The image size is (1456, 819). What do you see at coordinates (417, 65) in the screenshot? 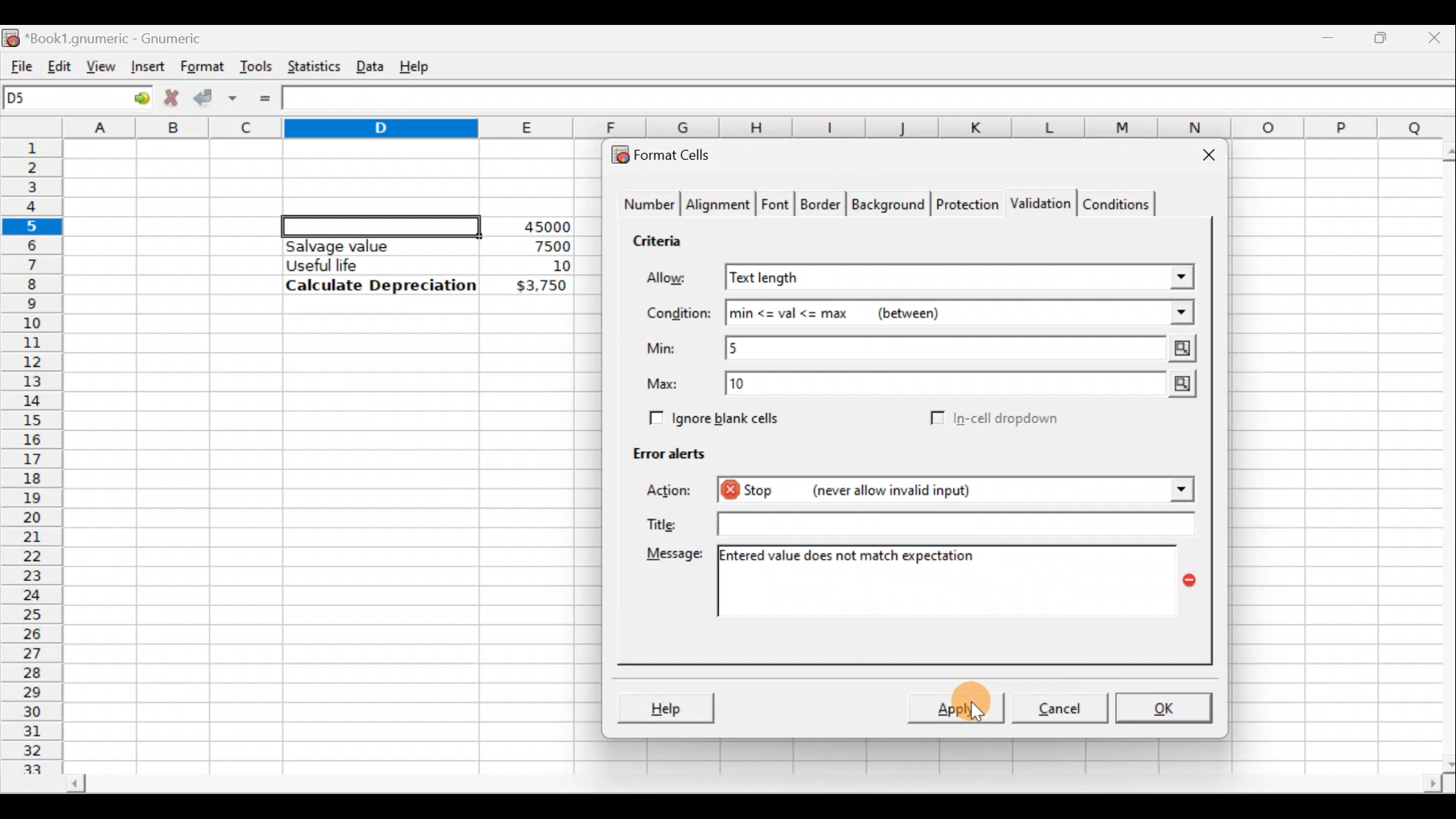
I see `Help` at bounding box center [417, 65].